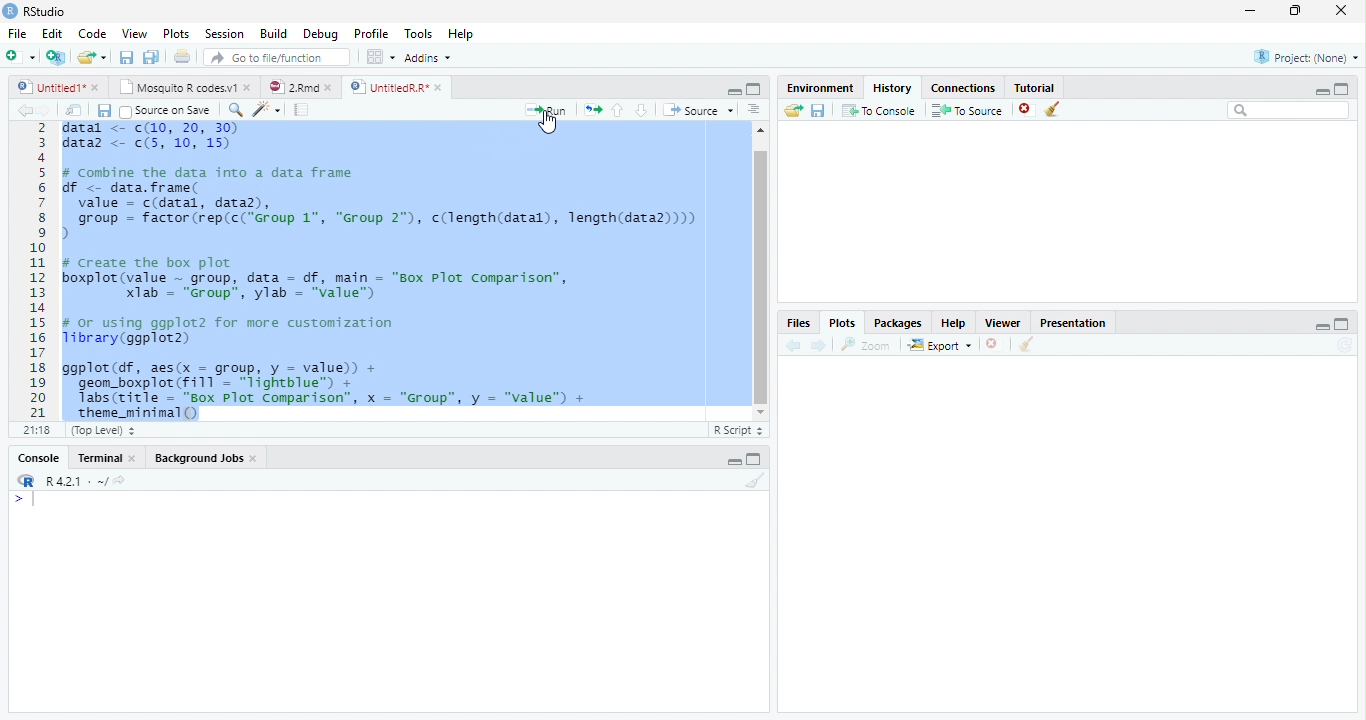 Image resolution: width=1366 pixels, height=720 pixels. What do you see at coordinates (461, 33) in the screenshot?
I see `Help` at bounding box center [461, 33].